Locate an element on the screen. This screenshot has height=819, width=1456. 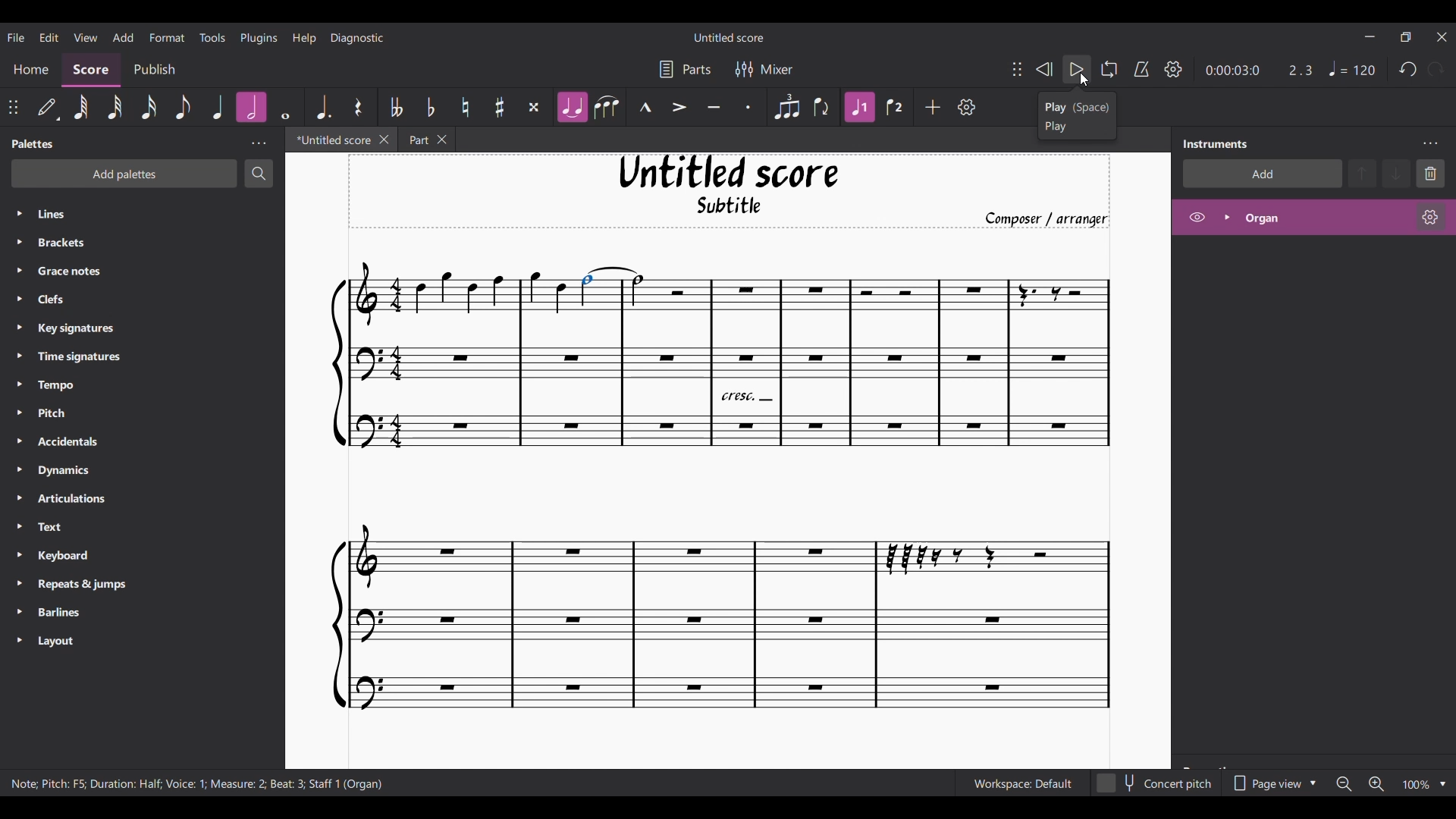
Home section is located at coordinates (30, 71).